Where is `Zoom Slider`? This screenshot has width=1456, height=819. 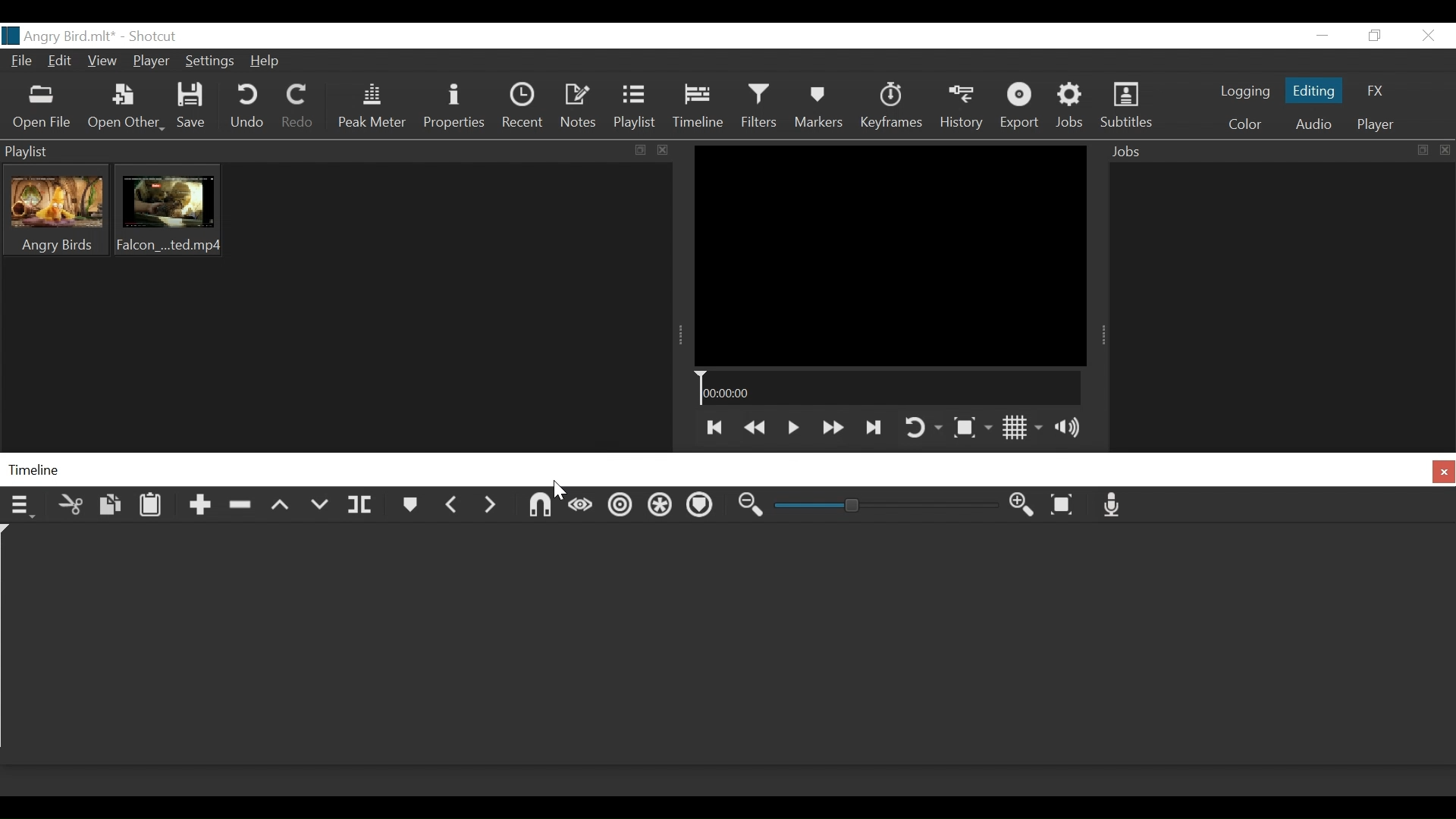
Zoom Slider is located at coordinates (888, 509).